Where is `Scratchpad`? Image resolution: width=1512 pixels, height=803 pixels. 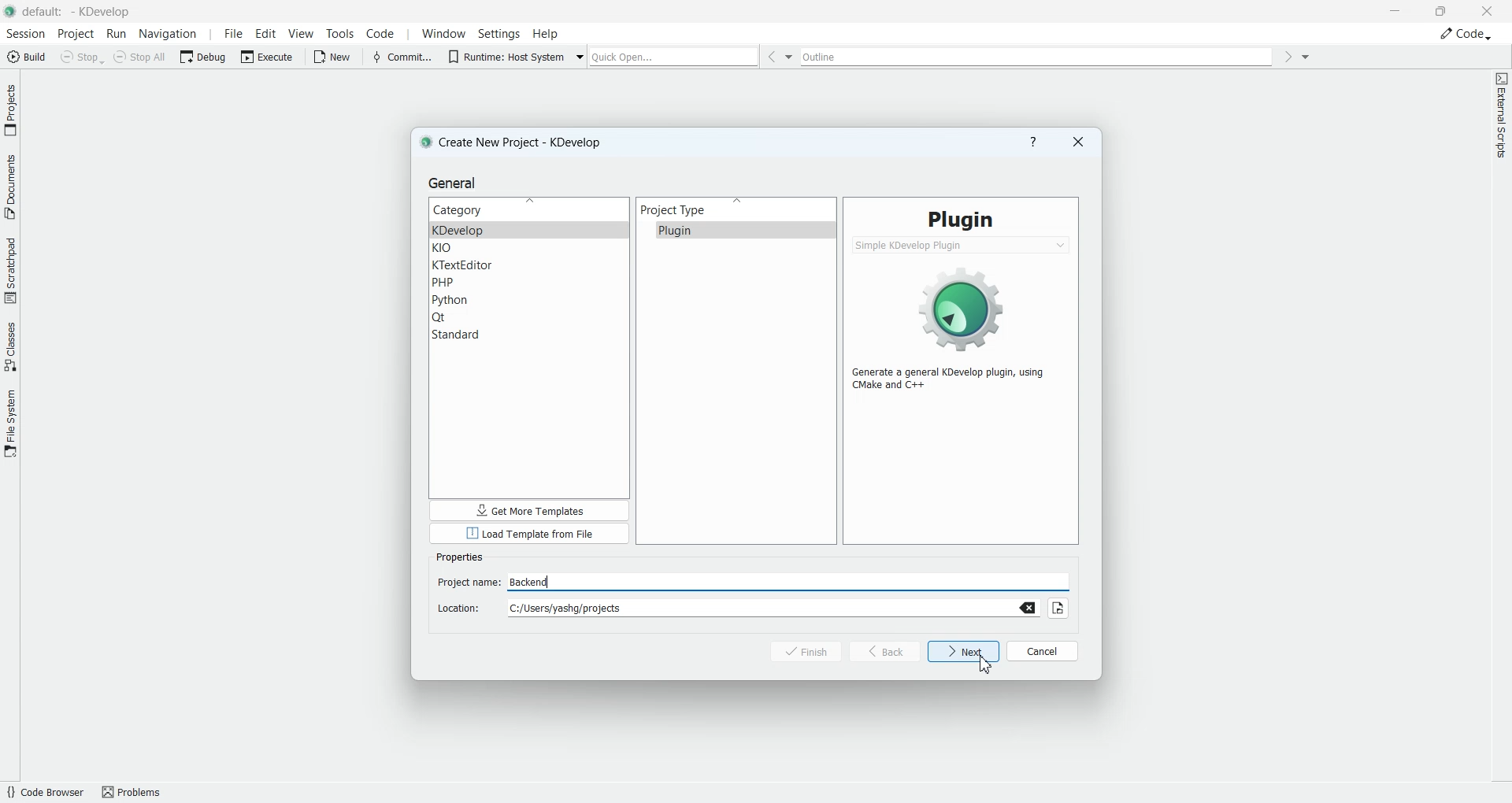
Scratchpad is located at coordinates (10, 269).